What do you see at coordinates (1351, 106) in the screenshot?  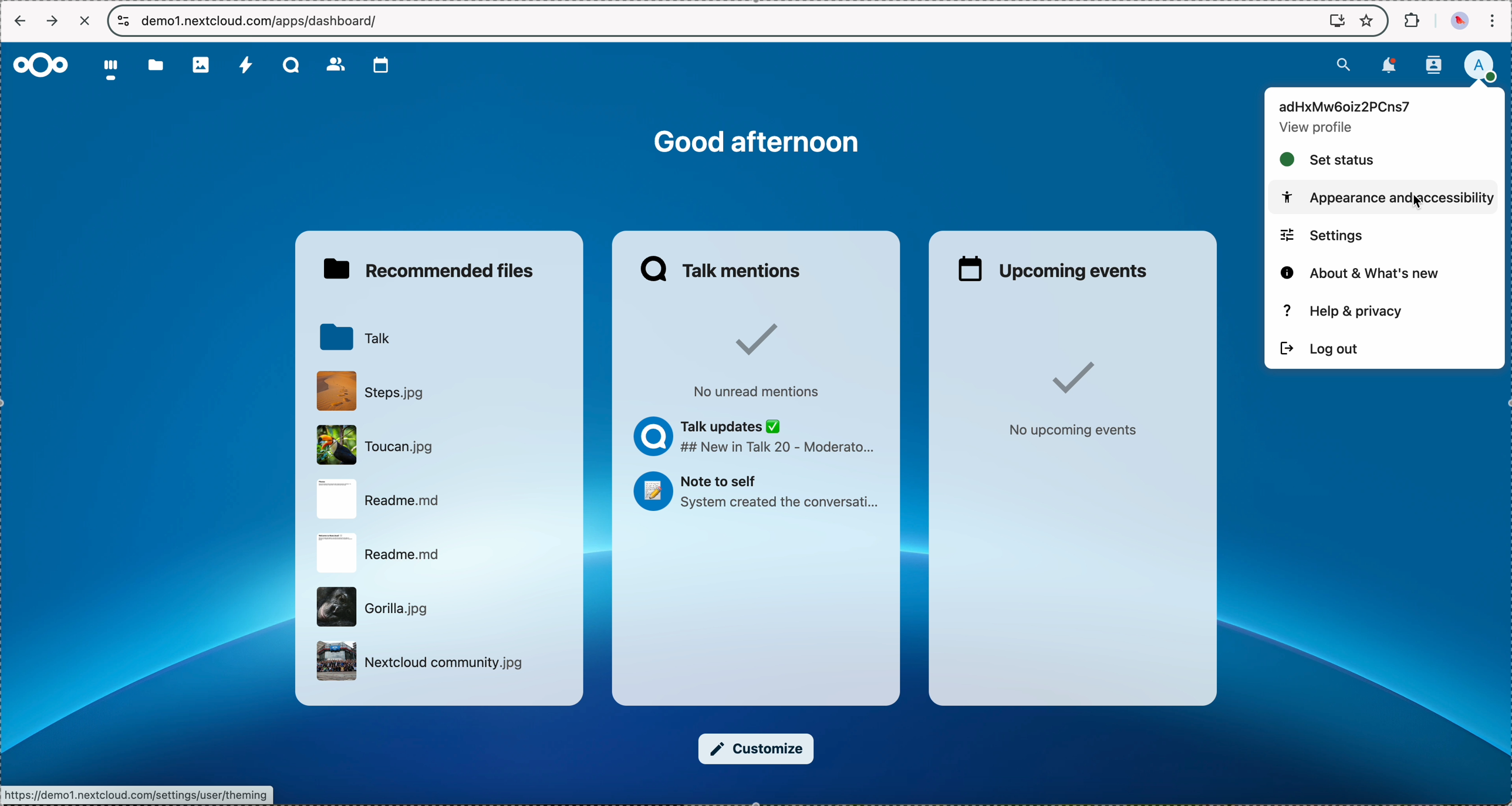 I see `user` at bounding box center [1351, 106].